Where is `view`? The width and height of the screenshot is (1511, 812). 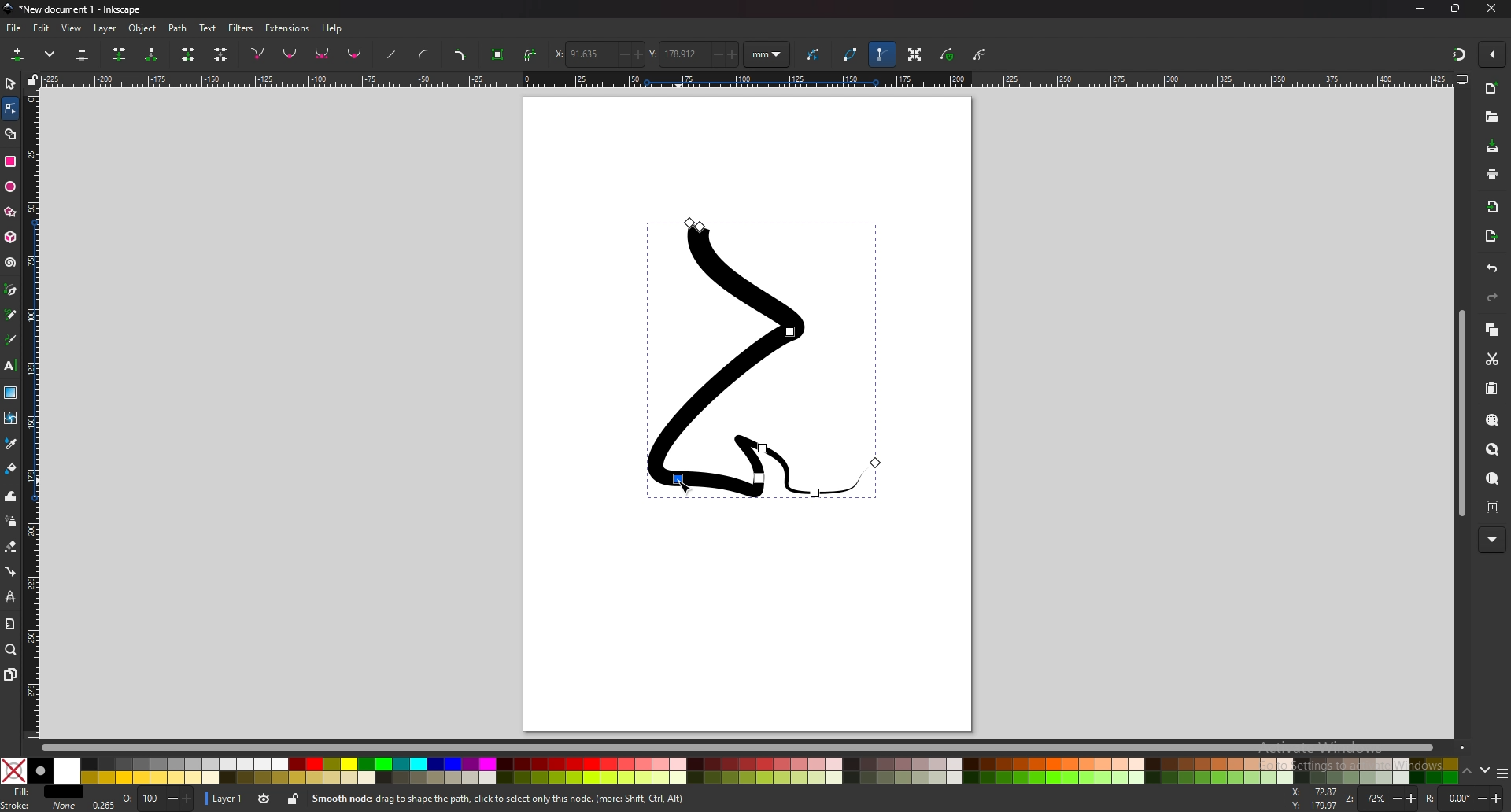
view is located at coordinates (72, 28).